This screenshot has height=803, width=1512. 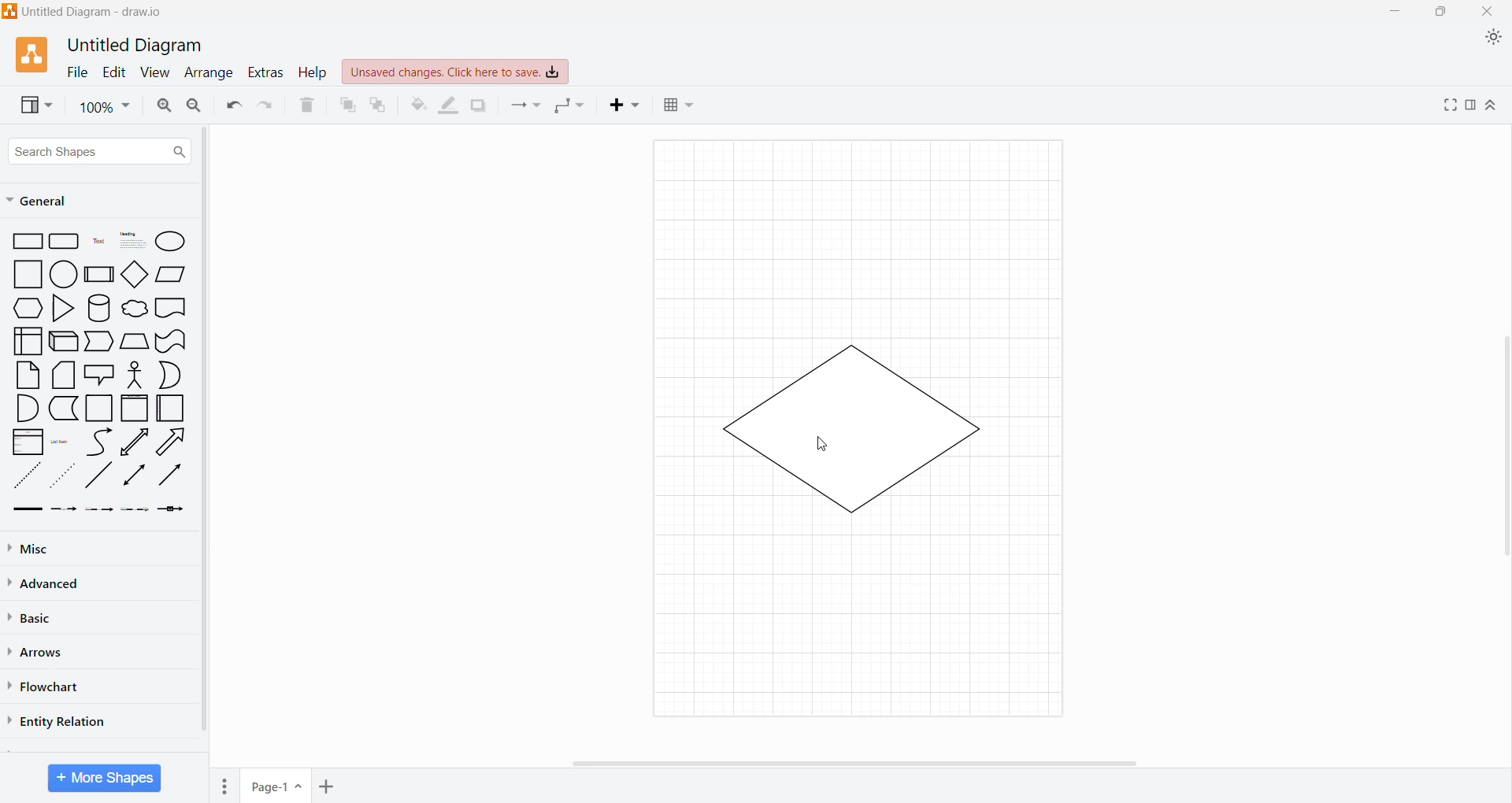 What do you see at coordinates (172, 274) in the screenshot?
I see `Parallelogram` at bounding box center [172, 274].